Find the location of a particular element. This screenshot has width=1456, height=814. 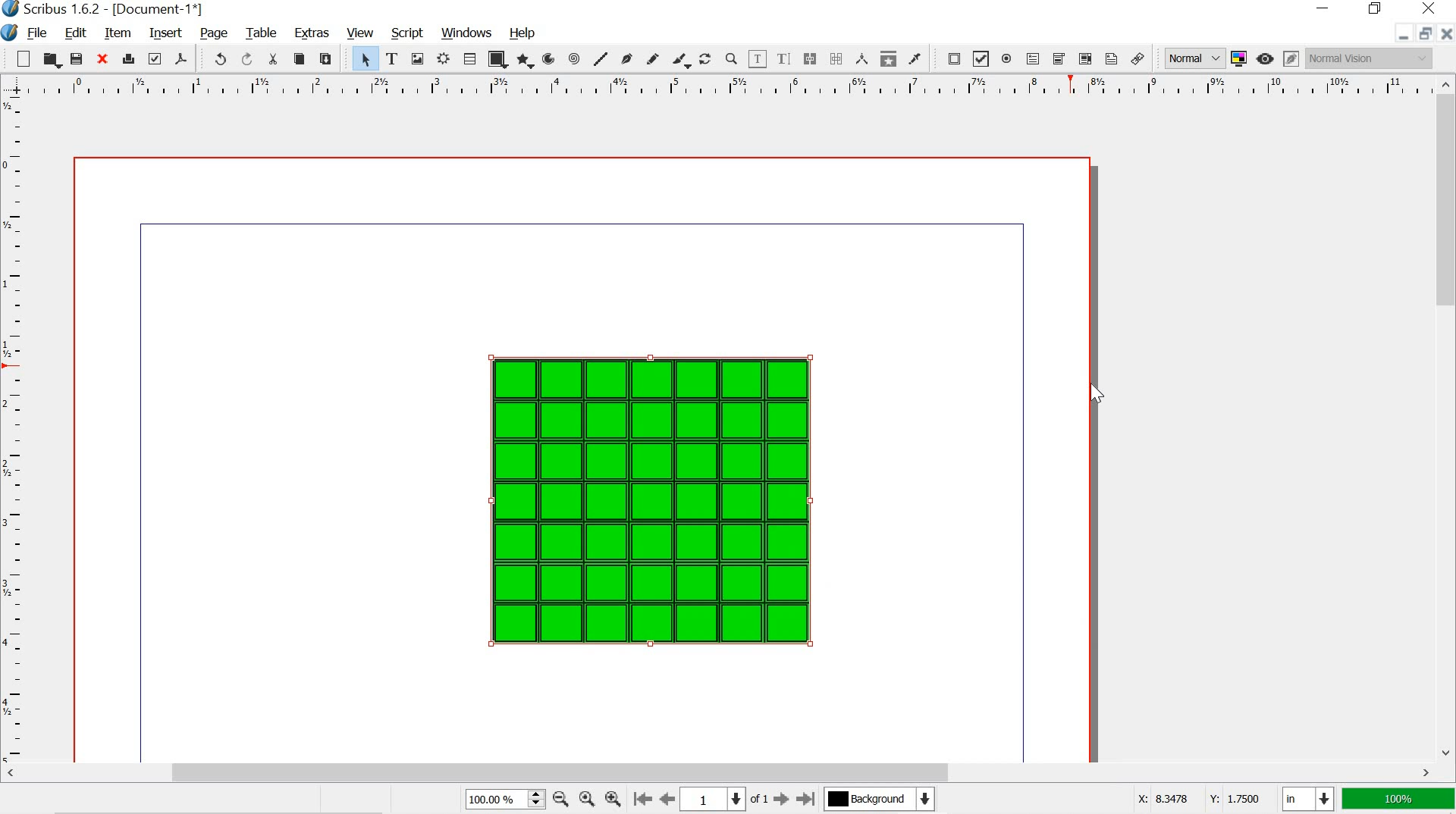

restore down is located at coordinates (1423, 32).